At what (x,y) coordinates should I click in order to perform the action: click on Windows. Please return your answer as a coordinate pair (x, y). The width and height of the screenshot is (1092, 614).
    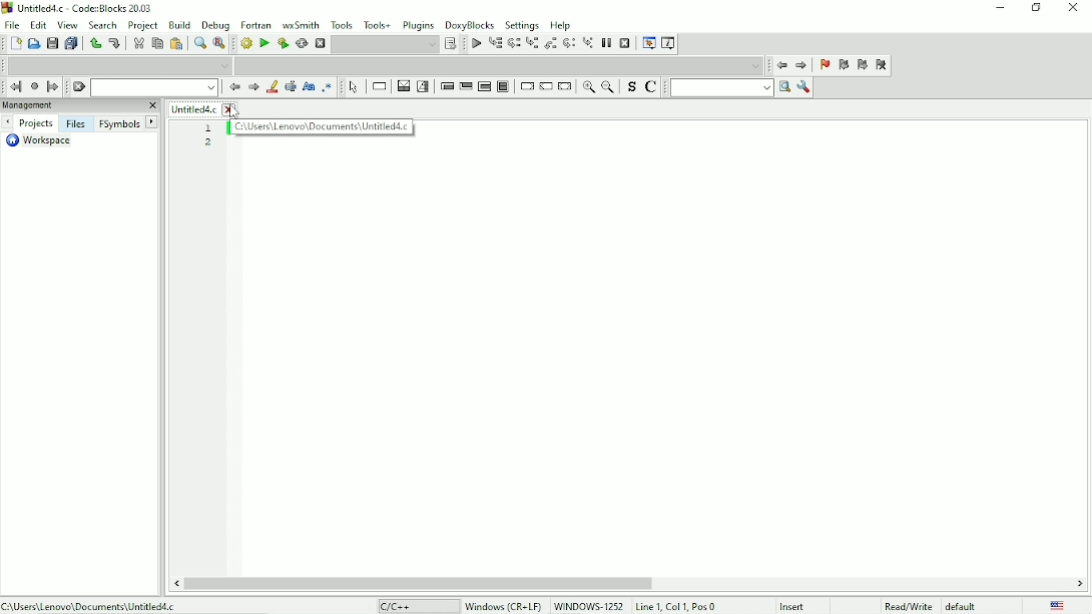
    Looking at the image, I should click on (544, 605).